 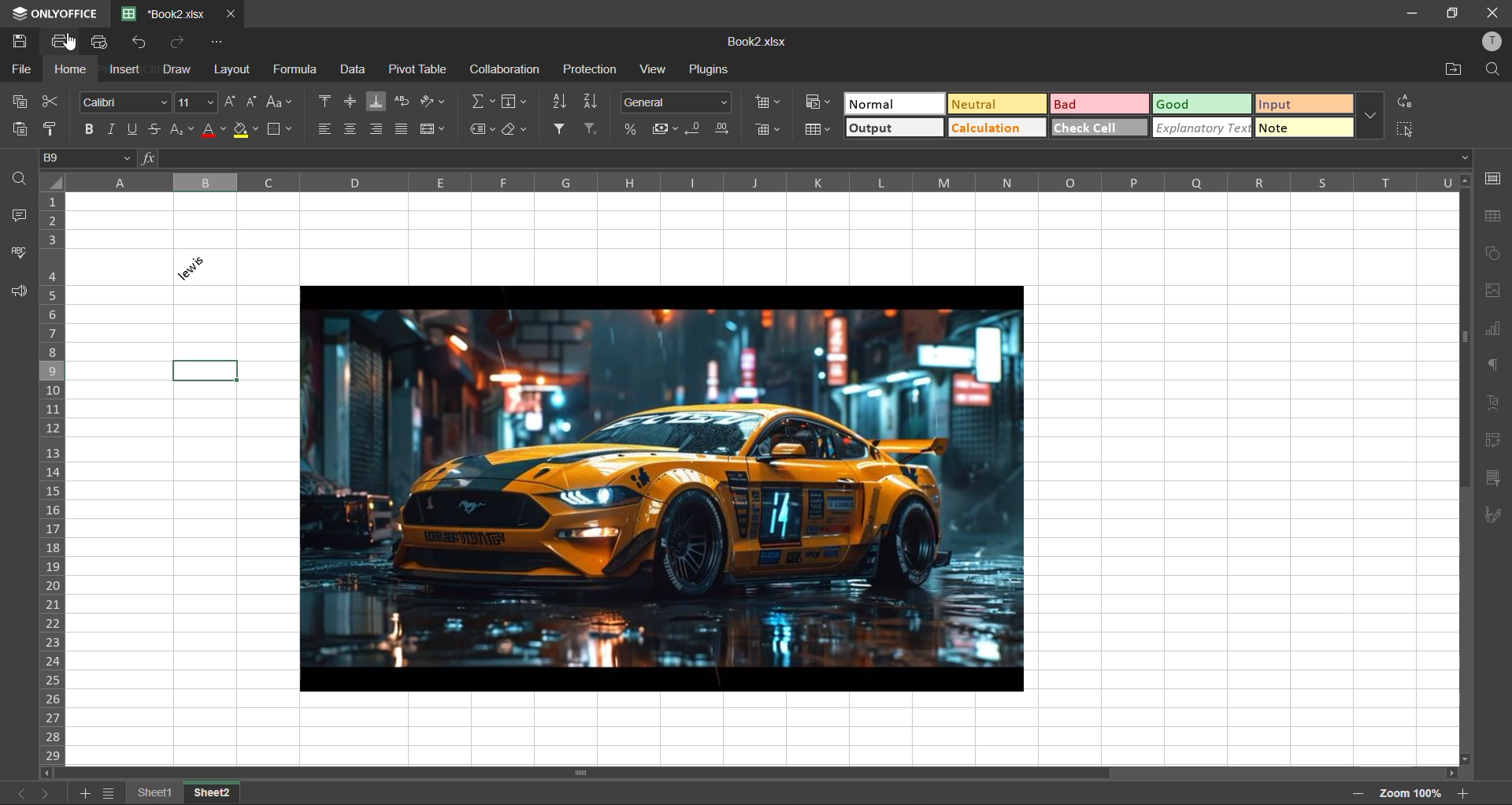 What do you see at coordinates (1492, 438) in the screenshot?
I see `pivot table` at bounding box center [1492, 438].